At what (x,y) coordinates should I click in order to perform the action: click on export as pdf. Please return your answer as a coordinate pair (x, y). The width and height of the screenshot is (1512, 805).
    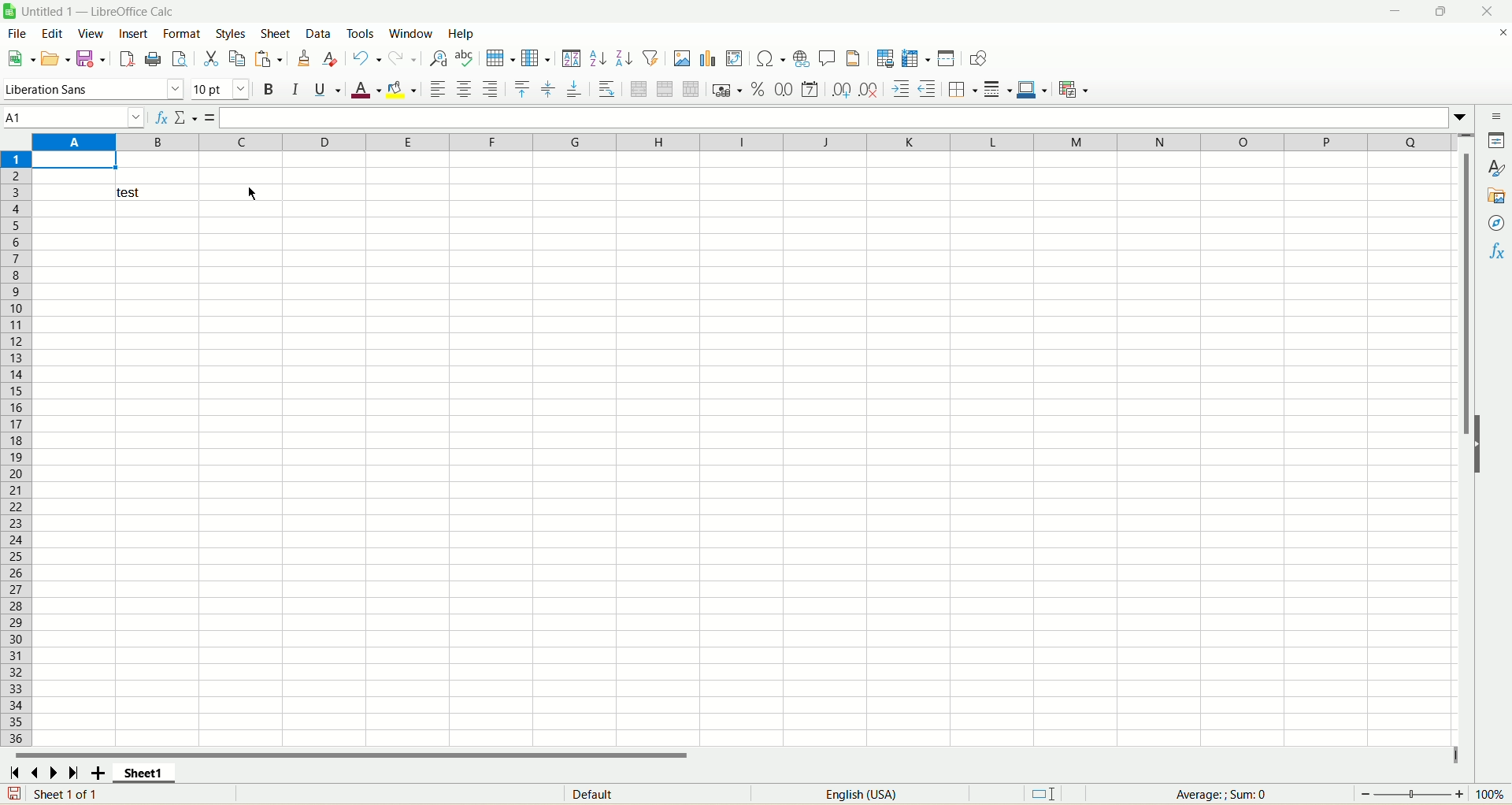
    Looking at the image, I should click on (125, 59).